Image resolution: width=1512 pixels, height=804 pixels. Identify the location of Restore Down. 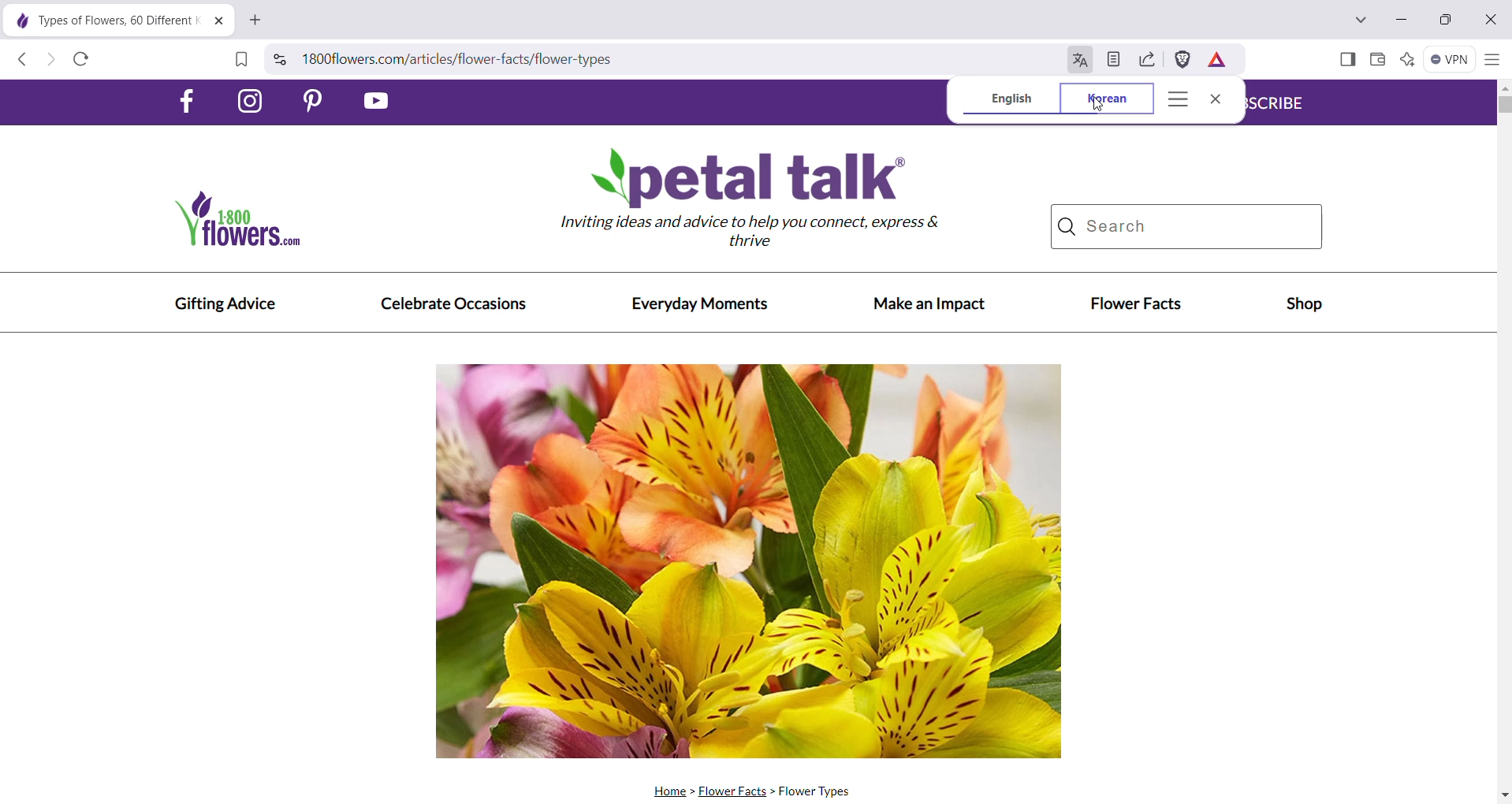
(1442, 20).